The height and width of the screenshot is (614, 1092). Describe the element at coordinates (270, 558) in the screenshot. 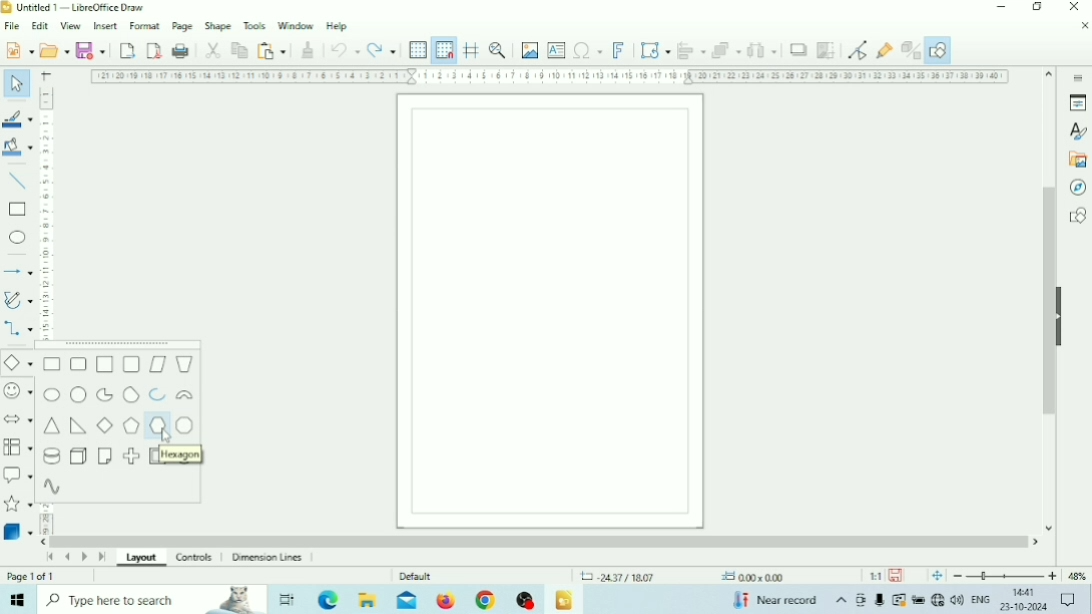

I see `Dimension Lines` at that location.